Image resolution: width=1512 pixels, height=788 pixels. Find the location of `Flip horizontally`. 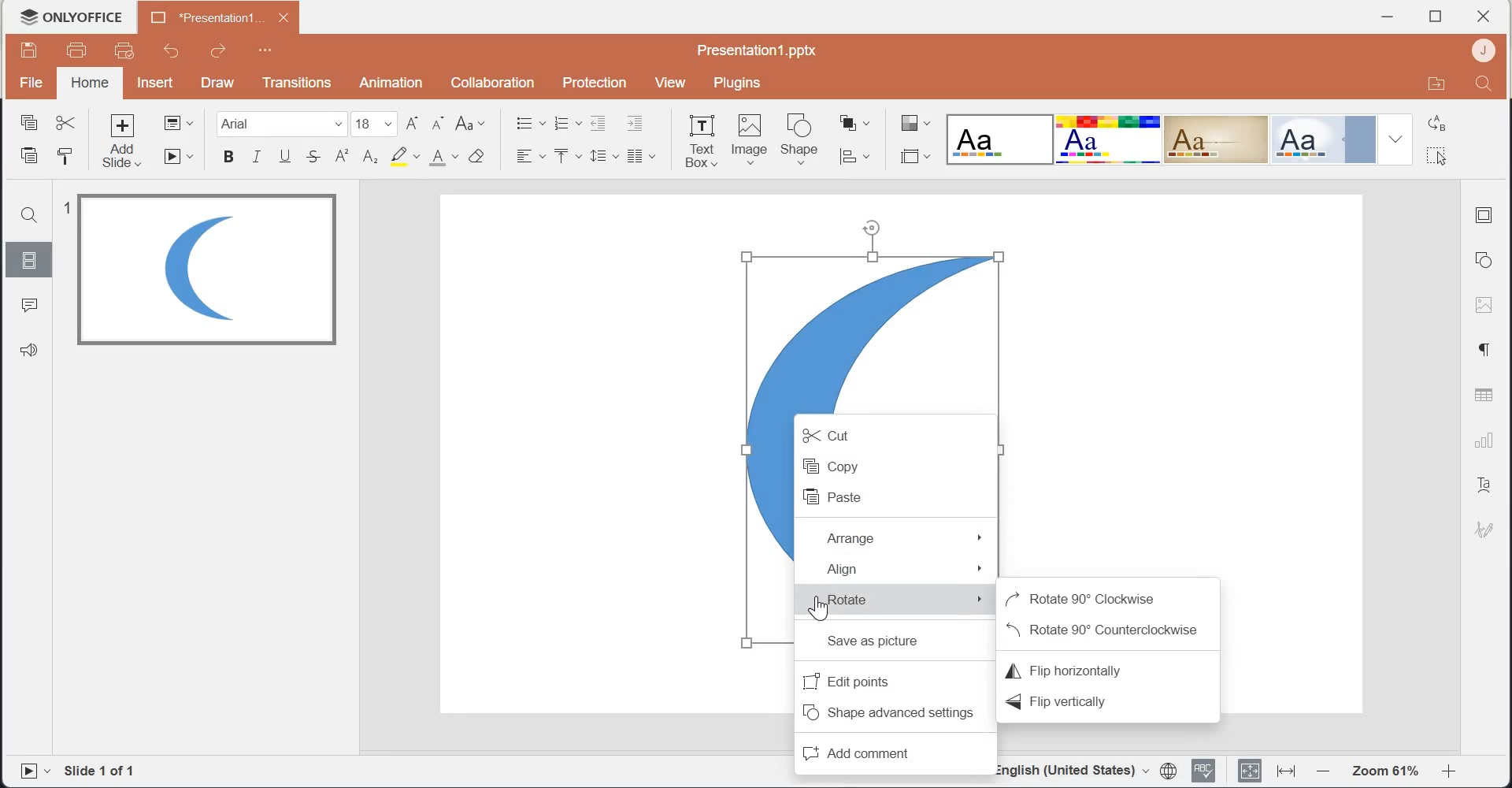

Flip horizontally is located at coordinates (1106, 668).